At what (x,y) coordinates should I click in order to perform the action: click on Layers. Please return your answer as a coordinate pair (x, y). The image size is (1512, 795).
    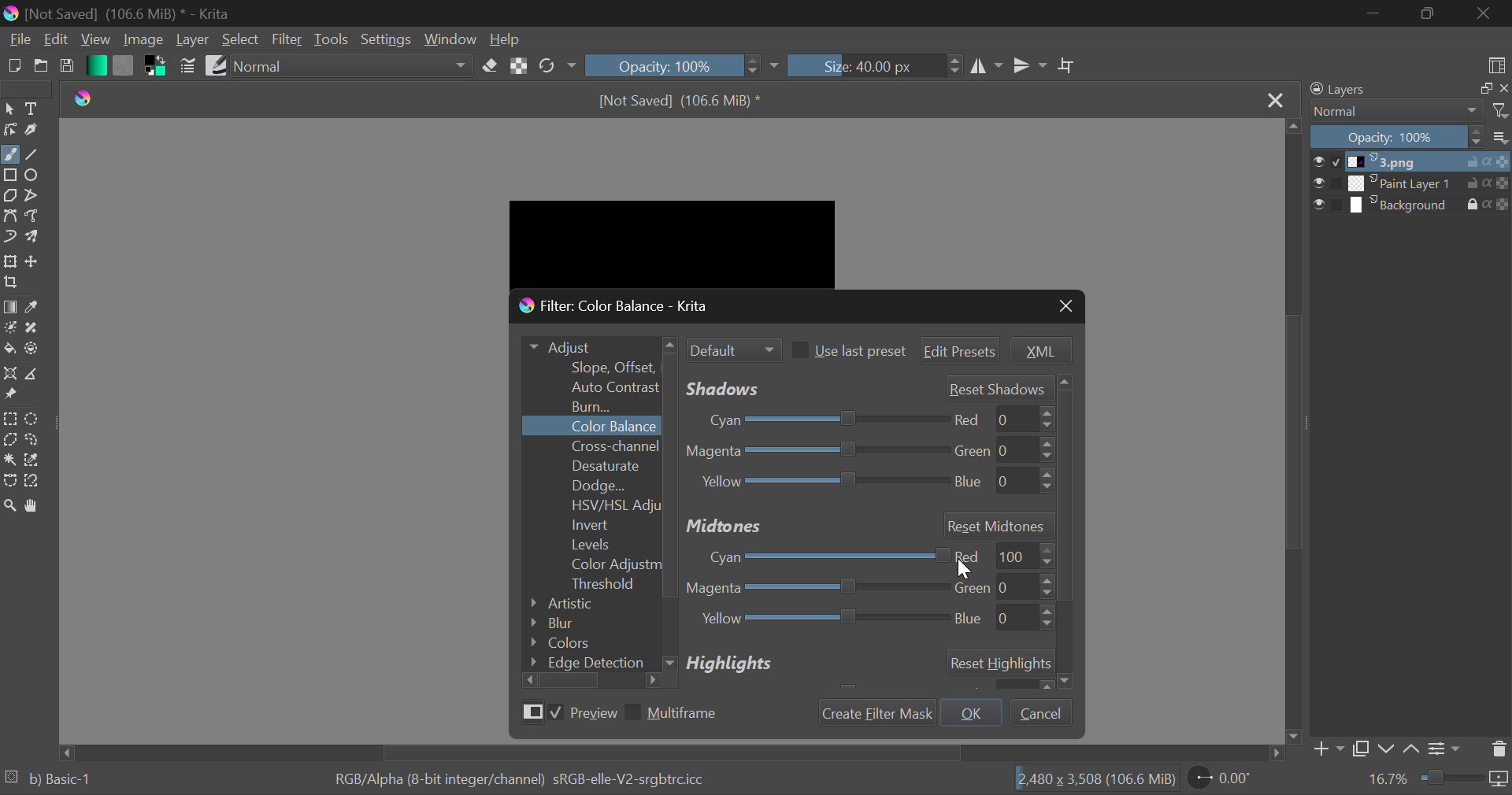
    Looking at the image, I should click on (1388, 89).